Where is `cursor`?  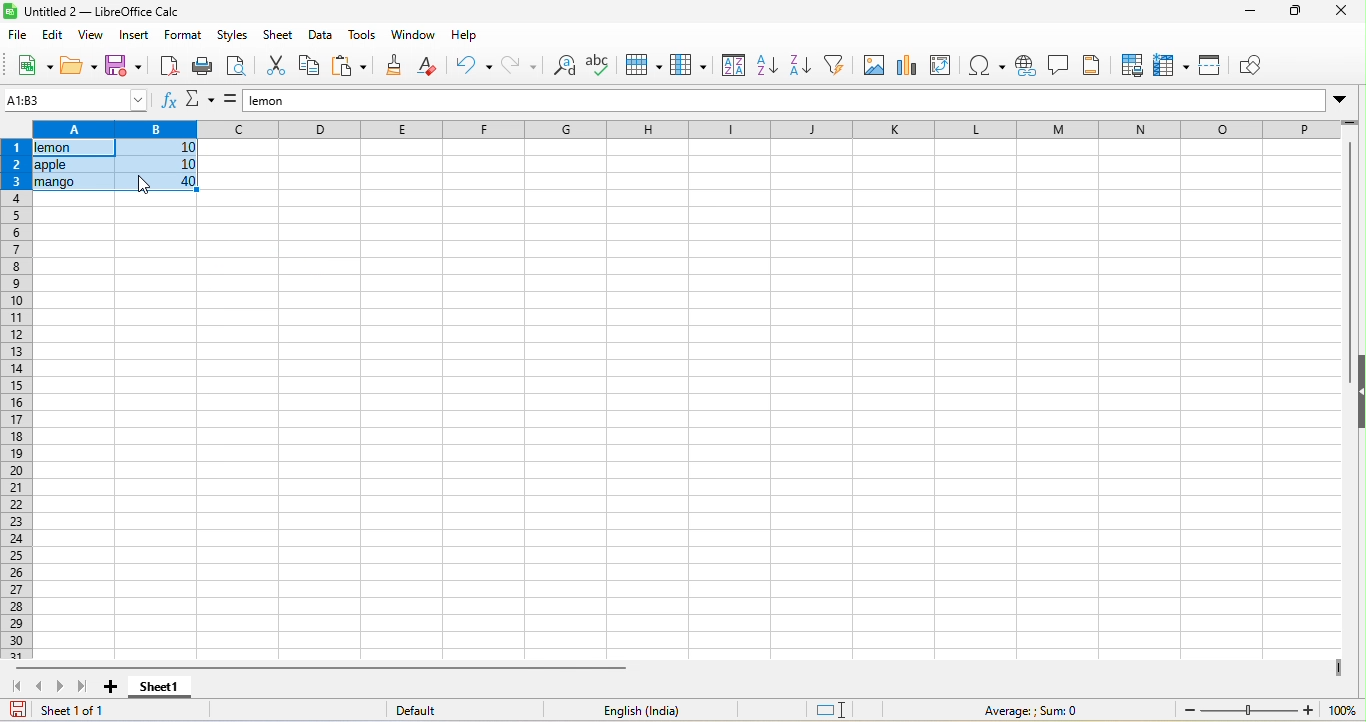
cursor is located at coordinates (144, 183).